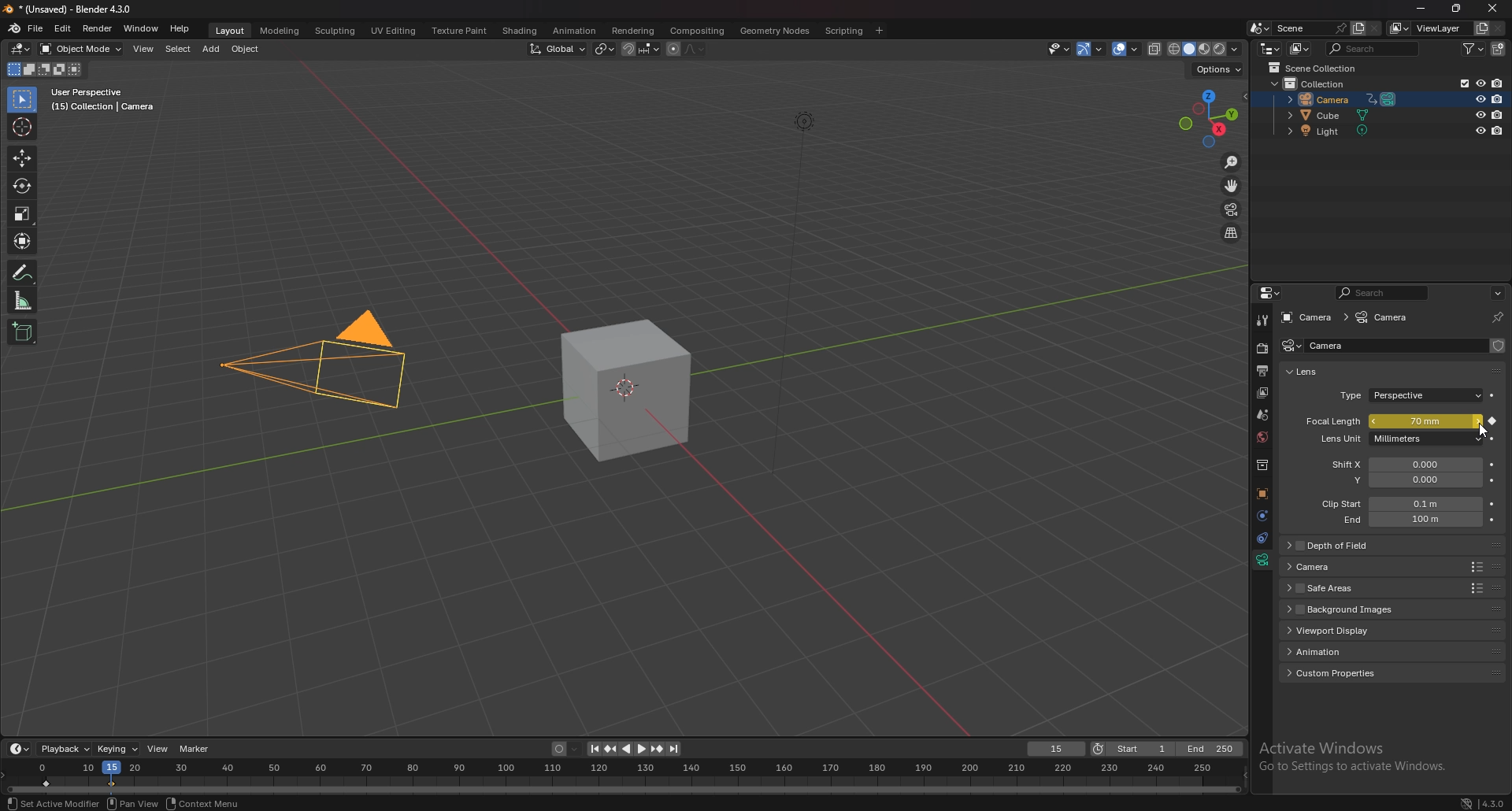 Image resolution: width=1512 pixels, height=811 pixels. I want to click on type, so click(1410, 397).